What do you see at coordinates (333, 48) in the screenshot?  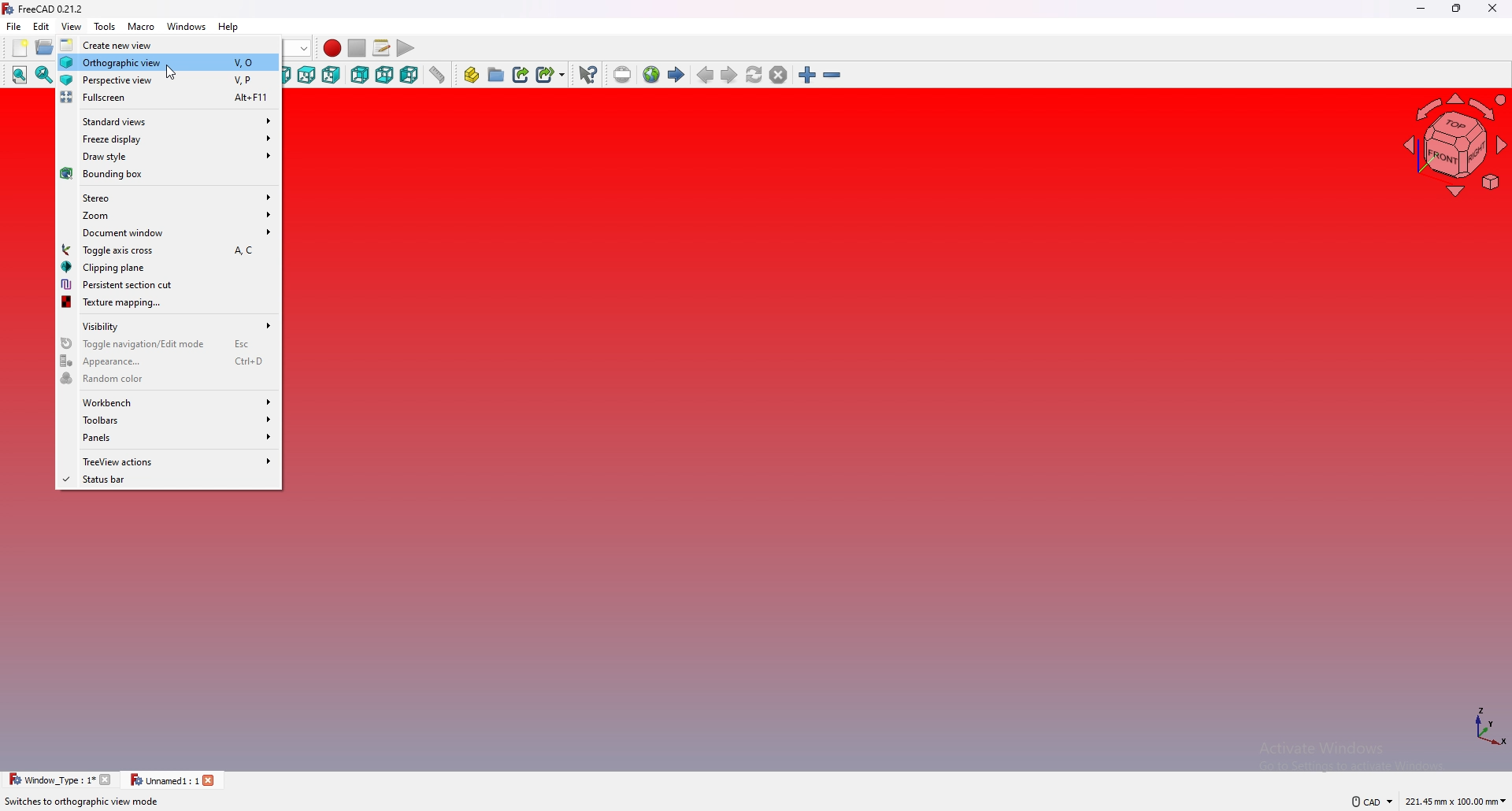 I see `record macros` at bounding box center [333, 48].